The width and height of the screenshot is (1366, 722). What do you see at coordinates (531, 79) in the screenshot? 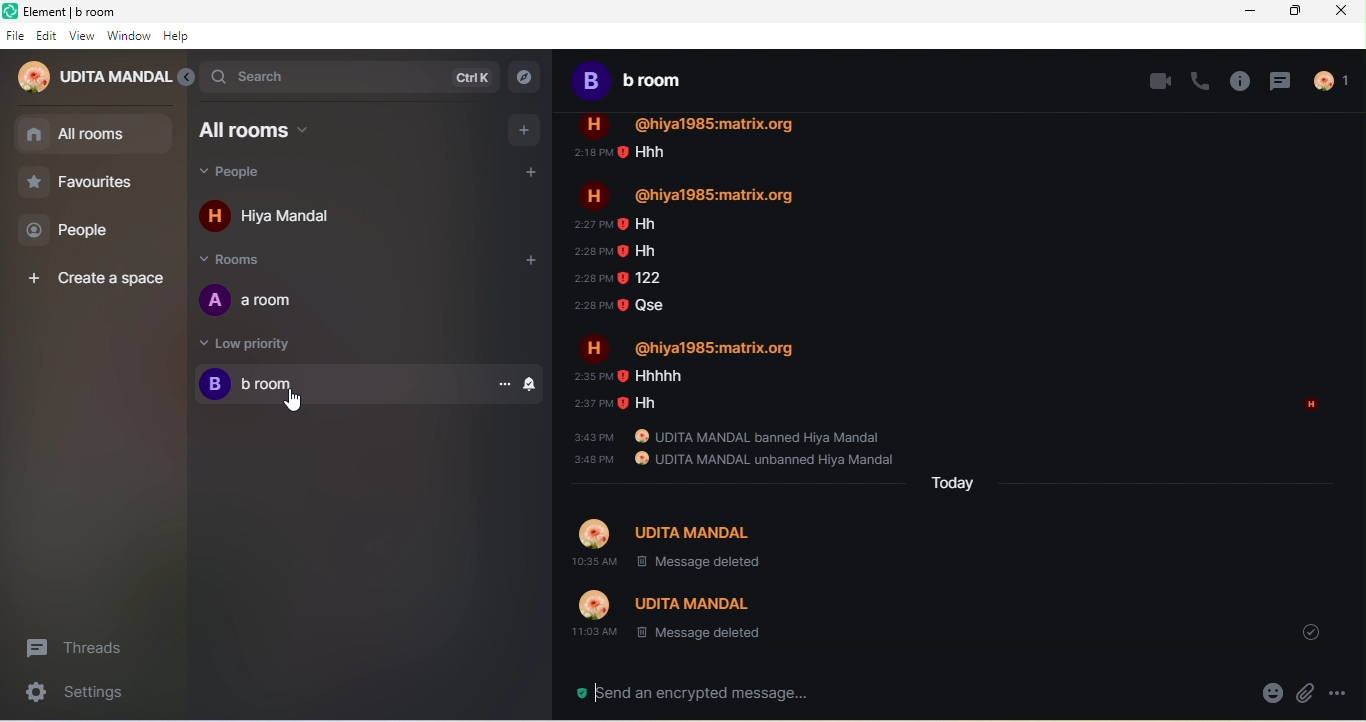
I see `explore` at bounding box center [531, 79].